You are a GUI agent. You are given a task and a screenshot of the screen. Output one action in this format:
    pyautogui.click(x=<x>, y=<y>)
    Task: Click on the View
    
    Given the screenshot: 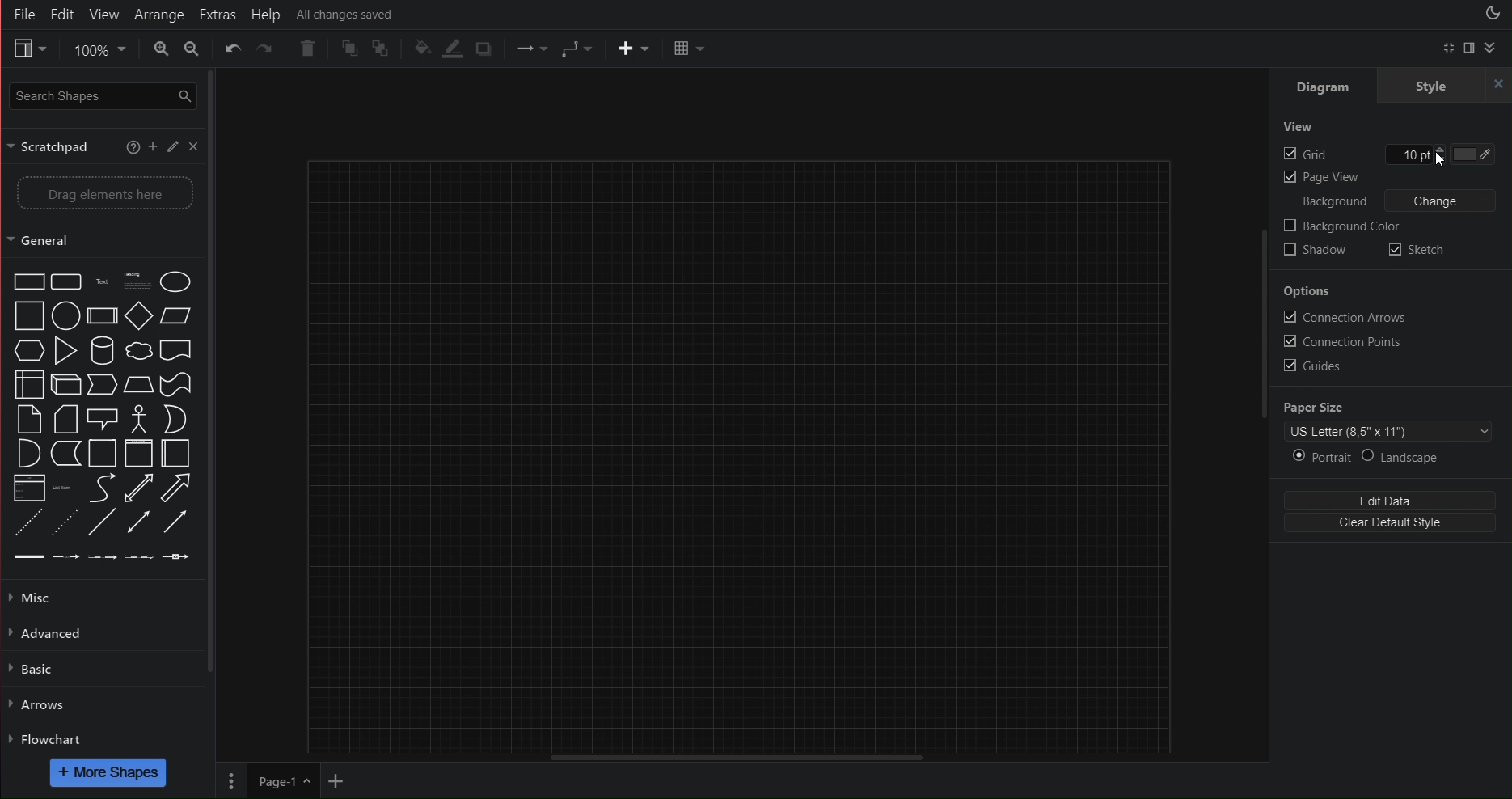 What is the action you would take?
    pyautogui.click(x=27, y=49)
    